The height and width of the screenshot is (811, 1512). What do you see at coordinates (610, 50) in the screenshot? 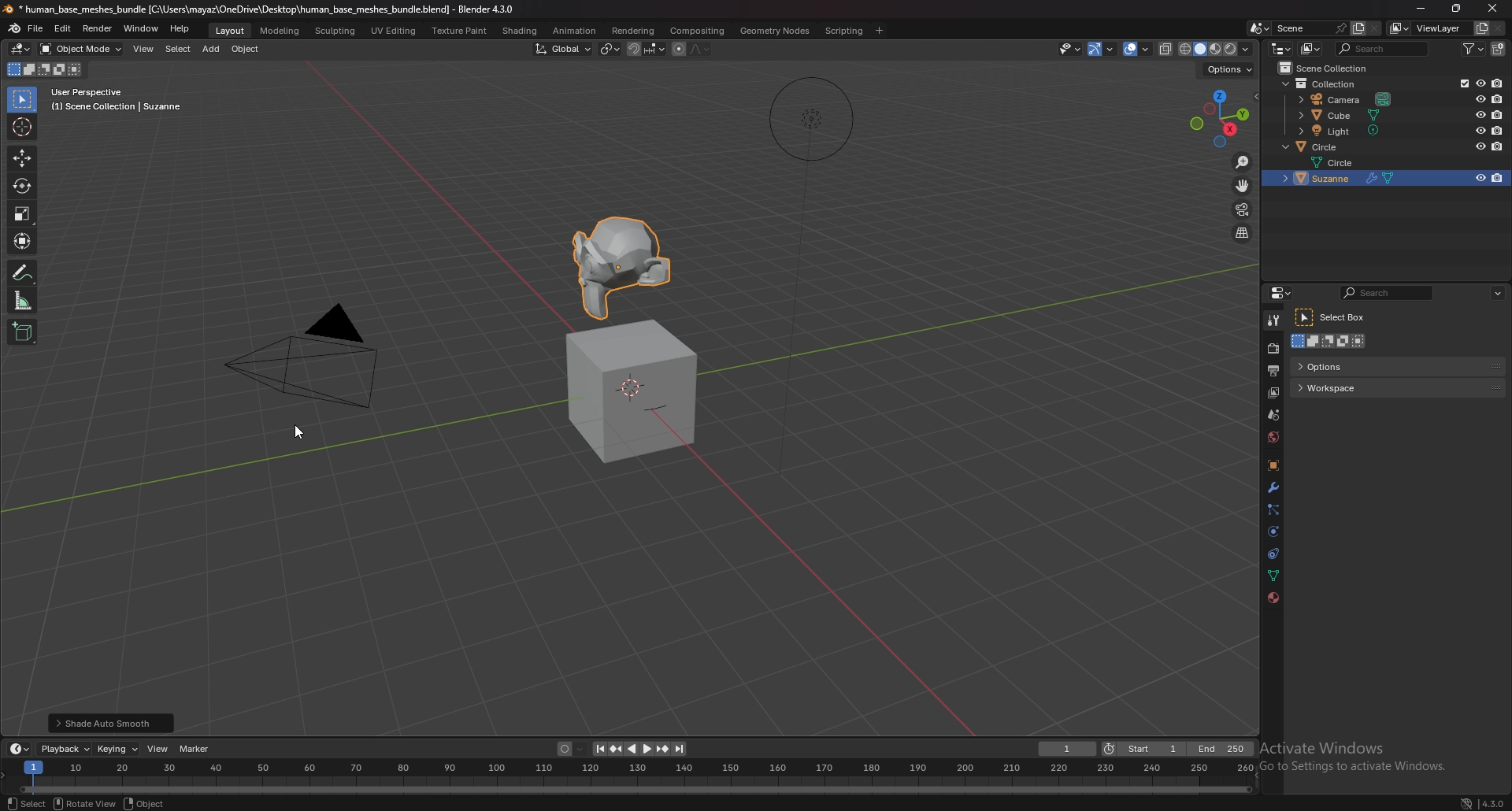
I see `transform pivot point` at bounding box center [610, 50].